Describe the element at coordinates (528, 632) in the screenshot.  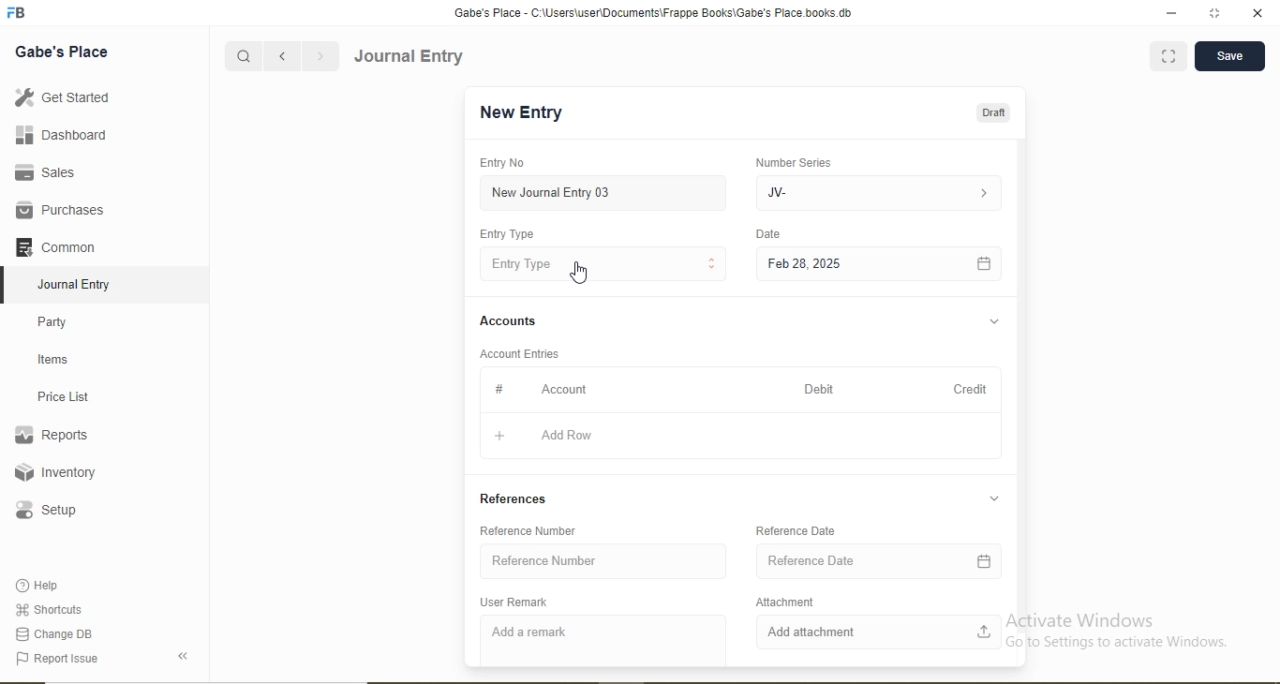
I see `Add a remark` at that location.